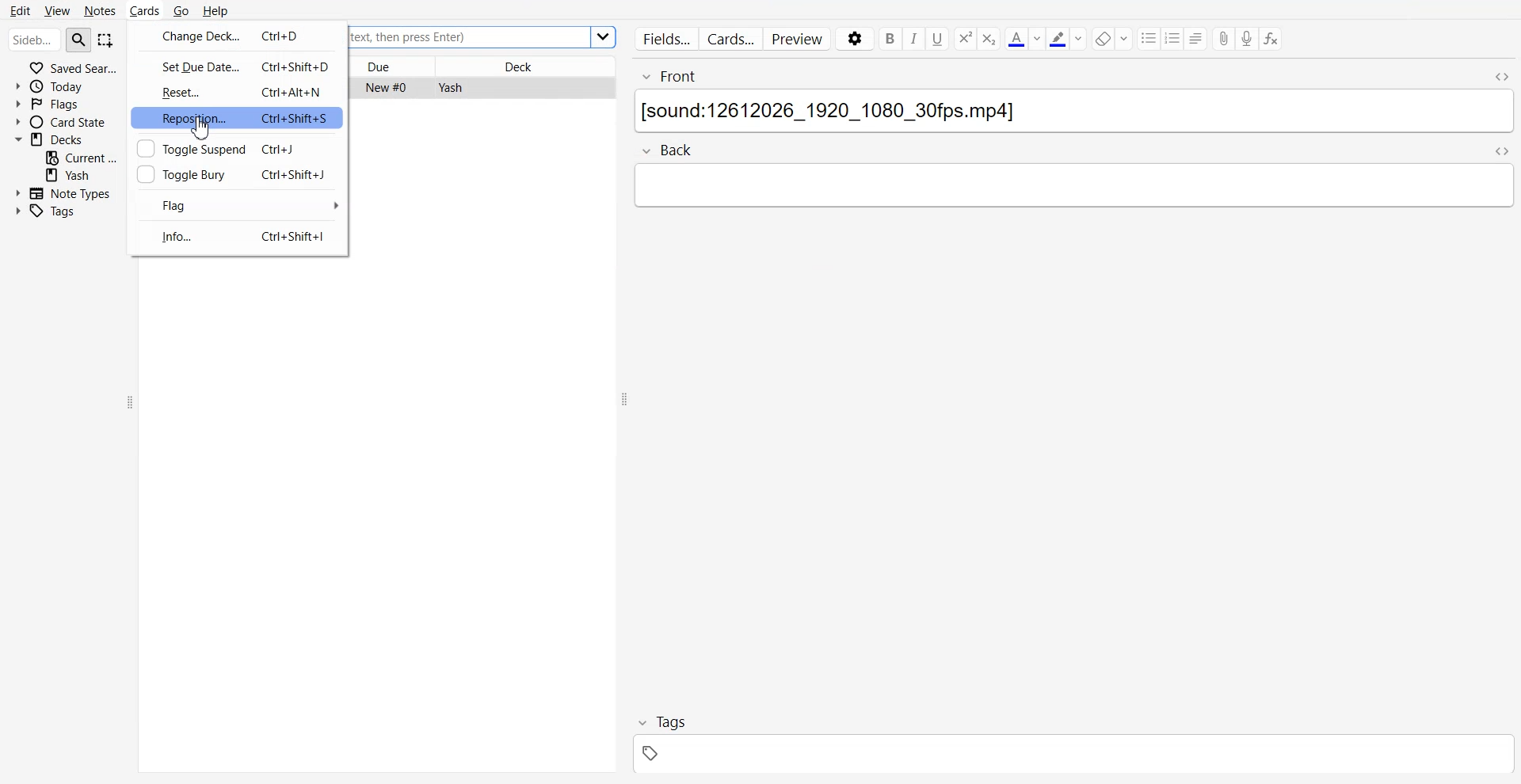 The image size is (1521, 784). What do you see at coordinates (204, 129) in the screenshot?
I see `Cursor` at bounding box center [204, 129].